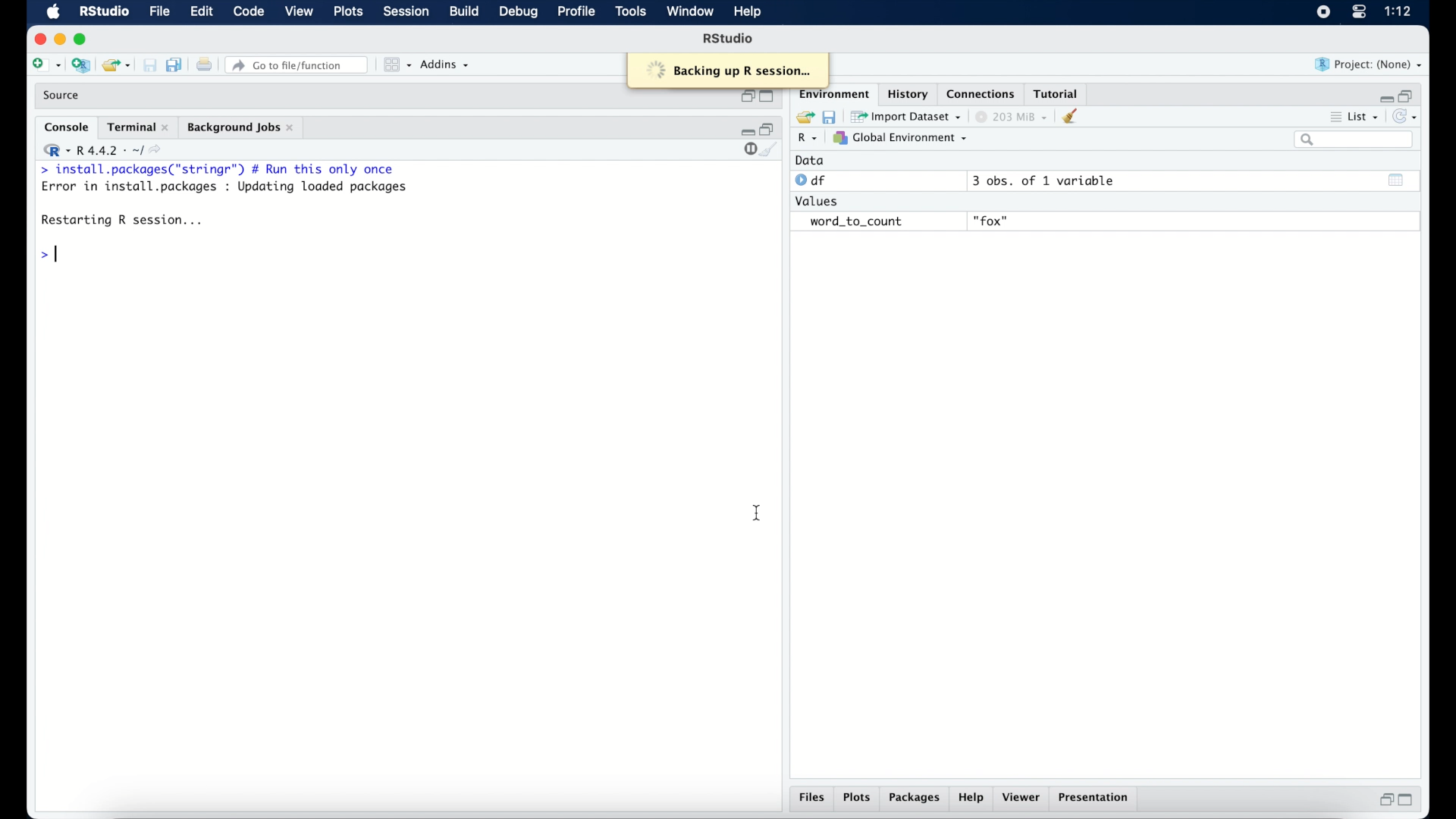 This screenshot has width=1456, height=819. Describe the element at coordinates (53, 12) in the screenshot. I see `macOS` at that location.